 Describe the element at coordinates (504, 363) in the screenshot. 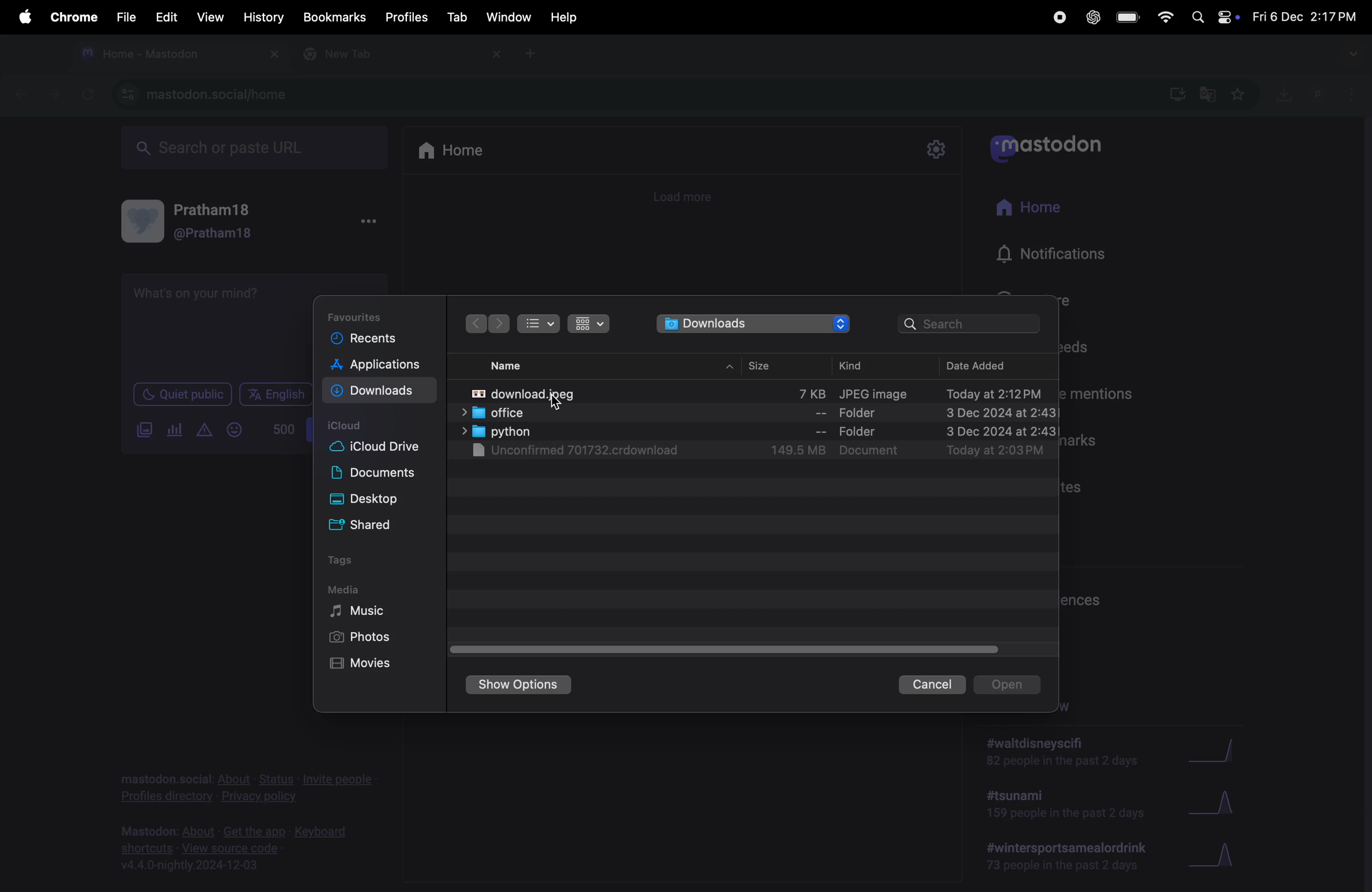

I see `name` at that location.